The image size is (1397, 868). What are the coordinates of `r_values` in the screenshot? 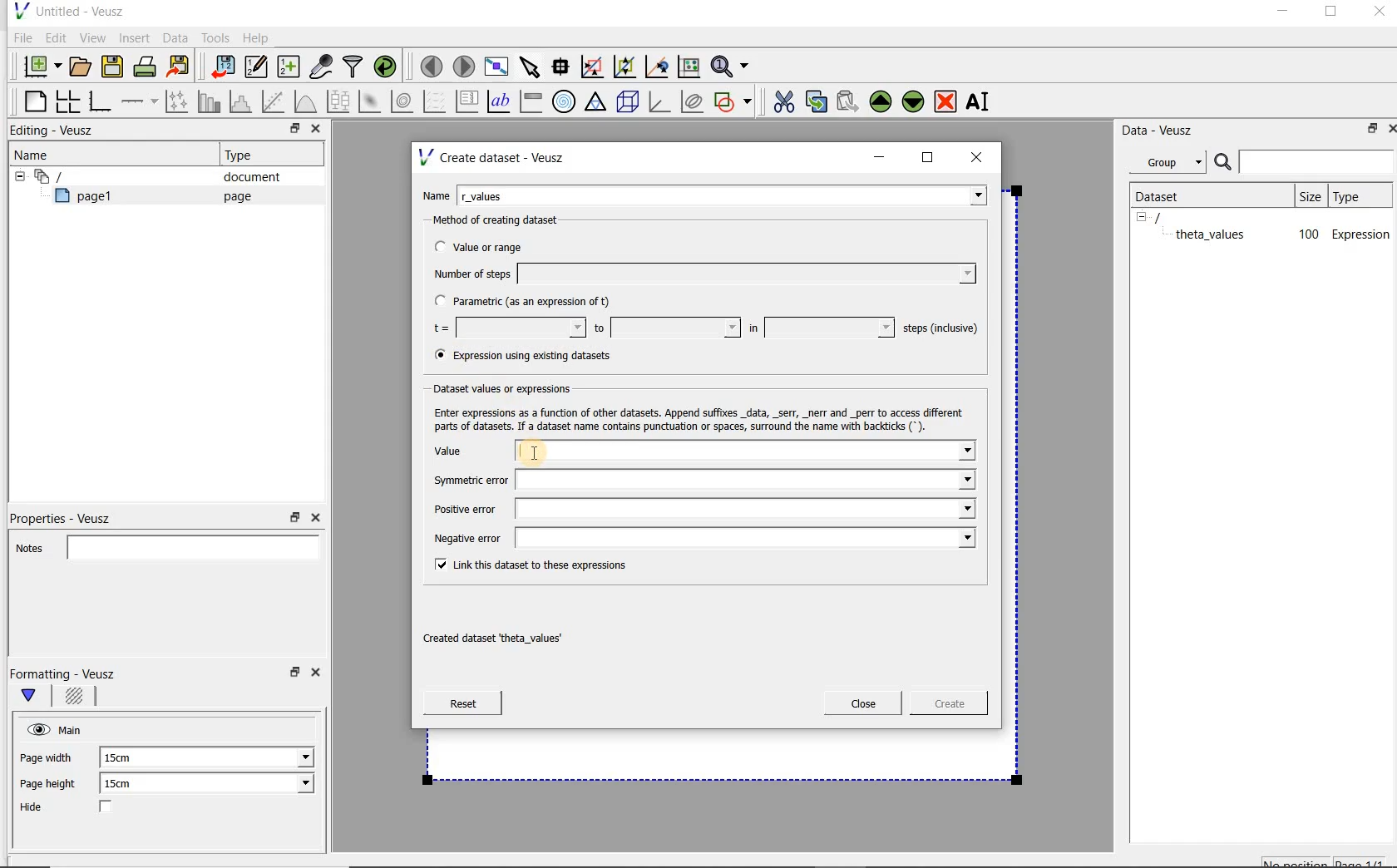 It's located at (723, 194).